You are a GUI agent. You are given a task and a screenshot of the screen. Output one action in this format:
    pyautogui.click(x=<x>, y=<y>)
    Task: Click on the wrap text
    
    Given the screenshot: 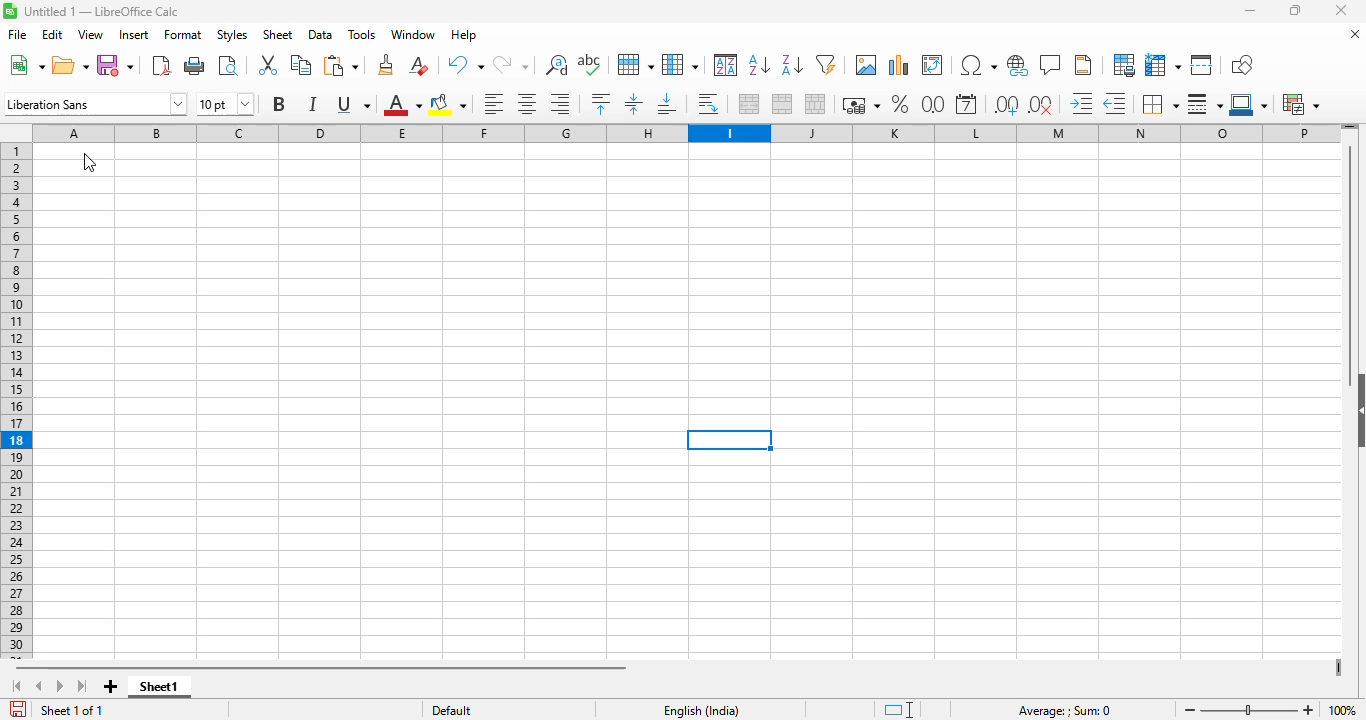 What is the action you would take?
    pyautogui.click(x=708, y=104)
    